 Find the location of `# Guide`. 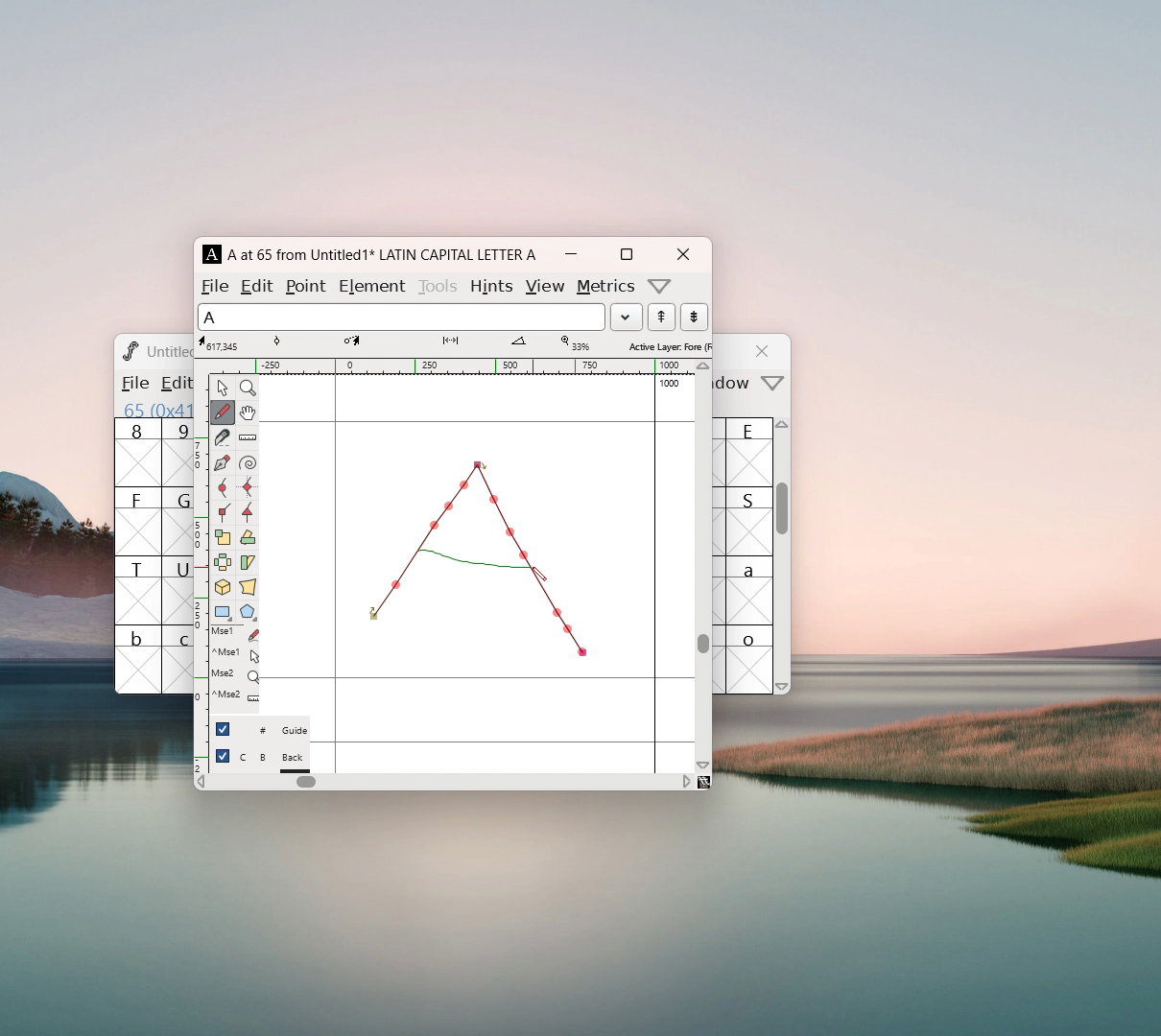

# Guide is located at coordinates (273, 731).